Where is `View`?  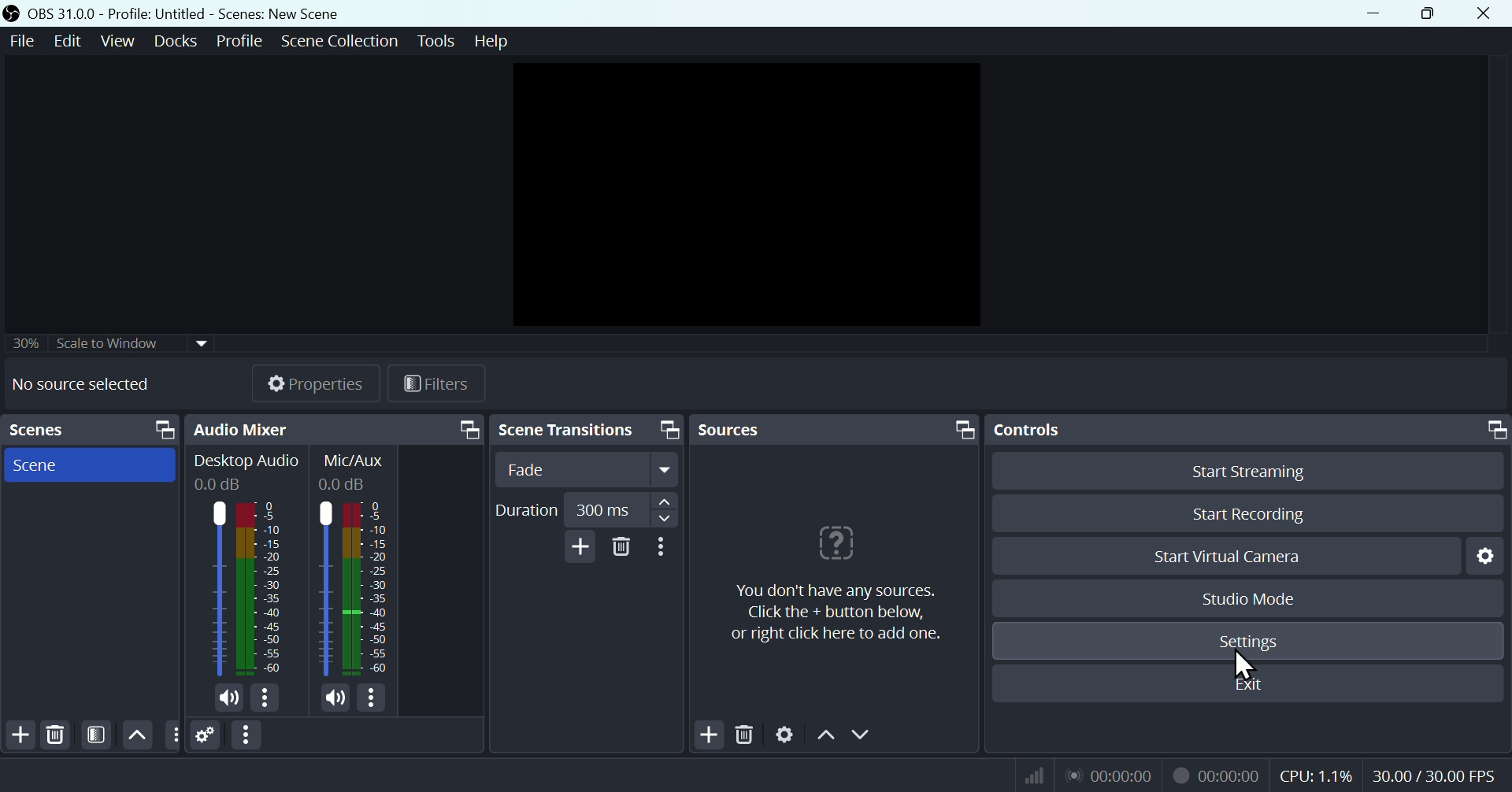
View is located at coordinates (120, 39).